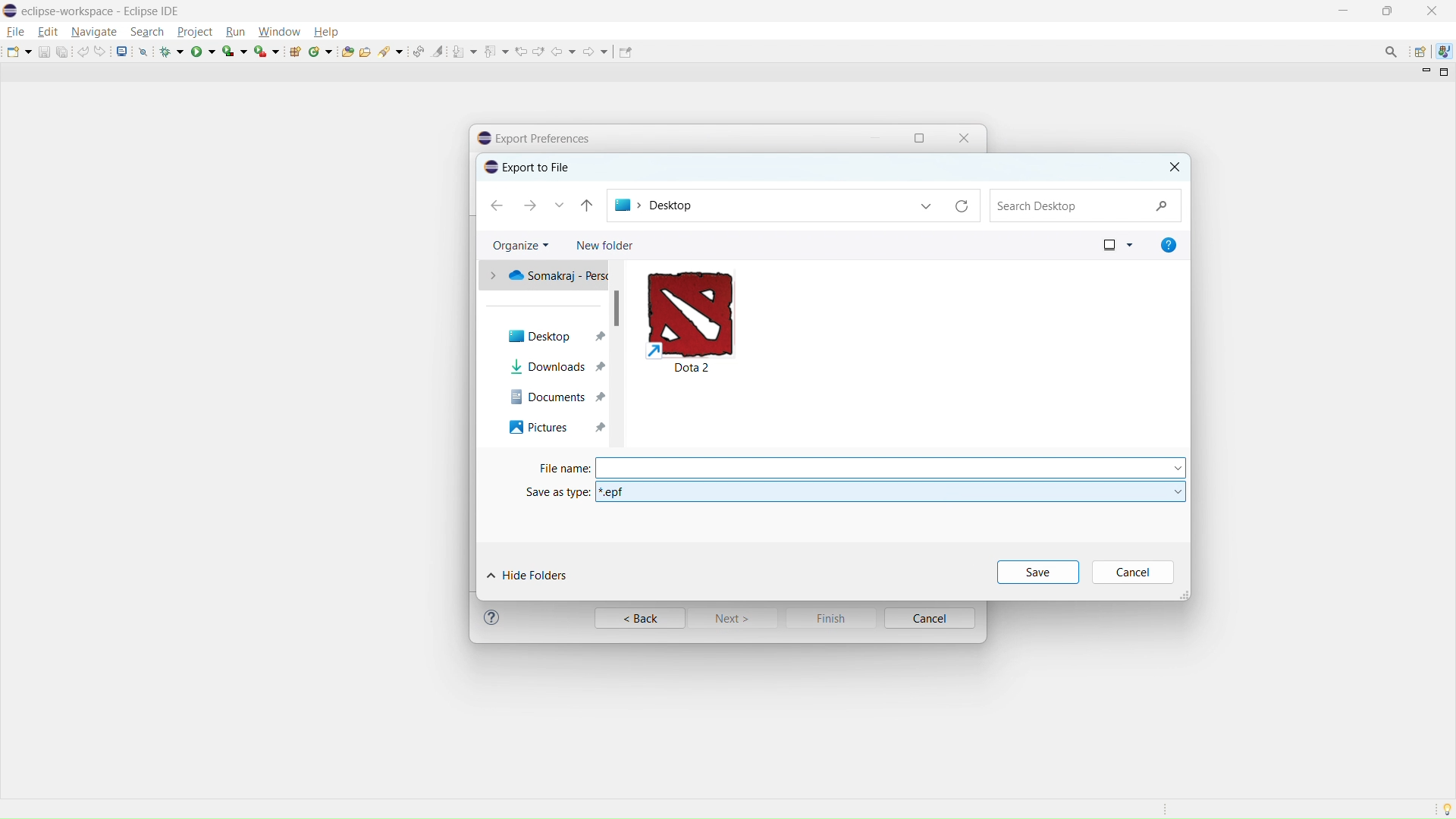 The image size is (1456, 819). I want to click on close, so click(1431, 11).